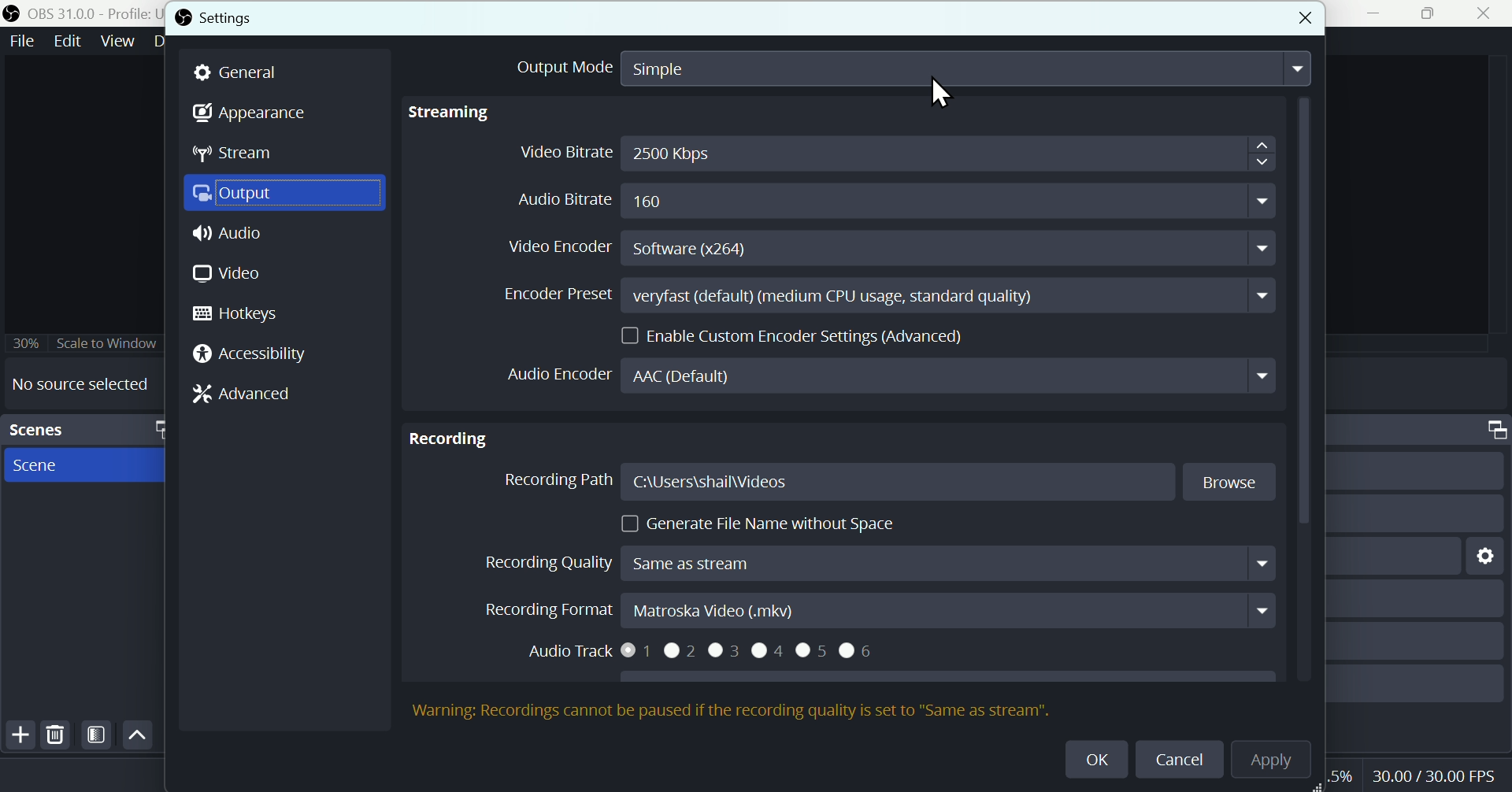  What do you see at coordinates (138, 734) in the screenshot?
I see `up` at bounding box center [138, 734].